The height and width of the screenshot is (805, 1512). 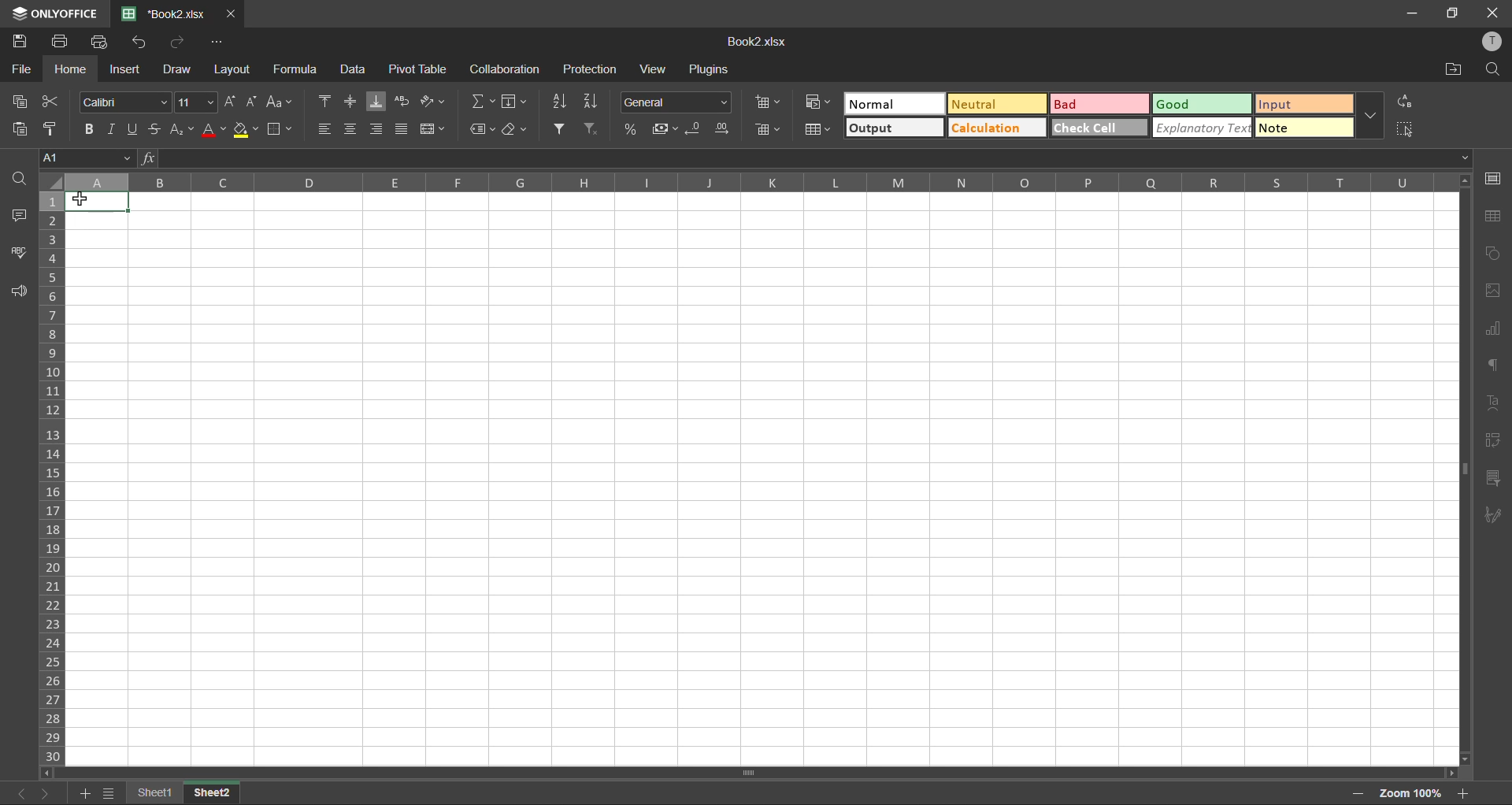 I want to click on add sheet, so click(x=83, y=795).